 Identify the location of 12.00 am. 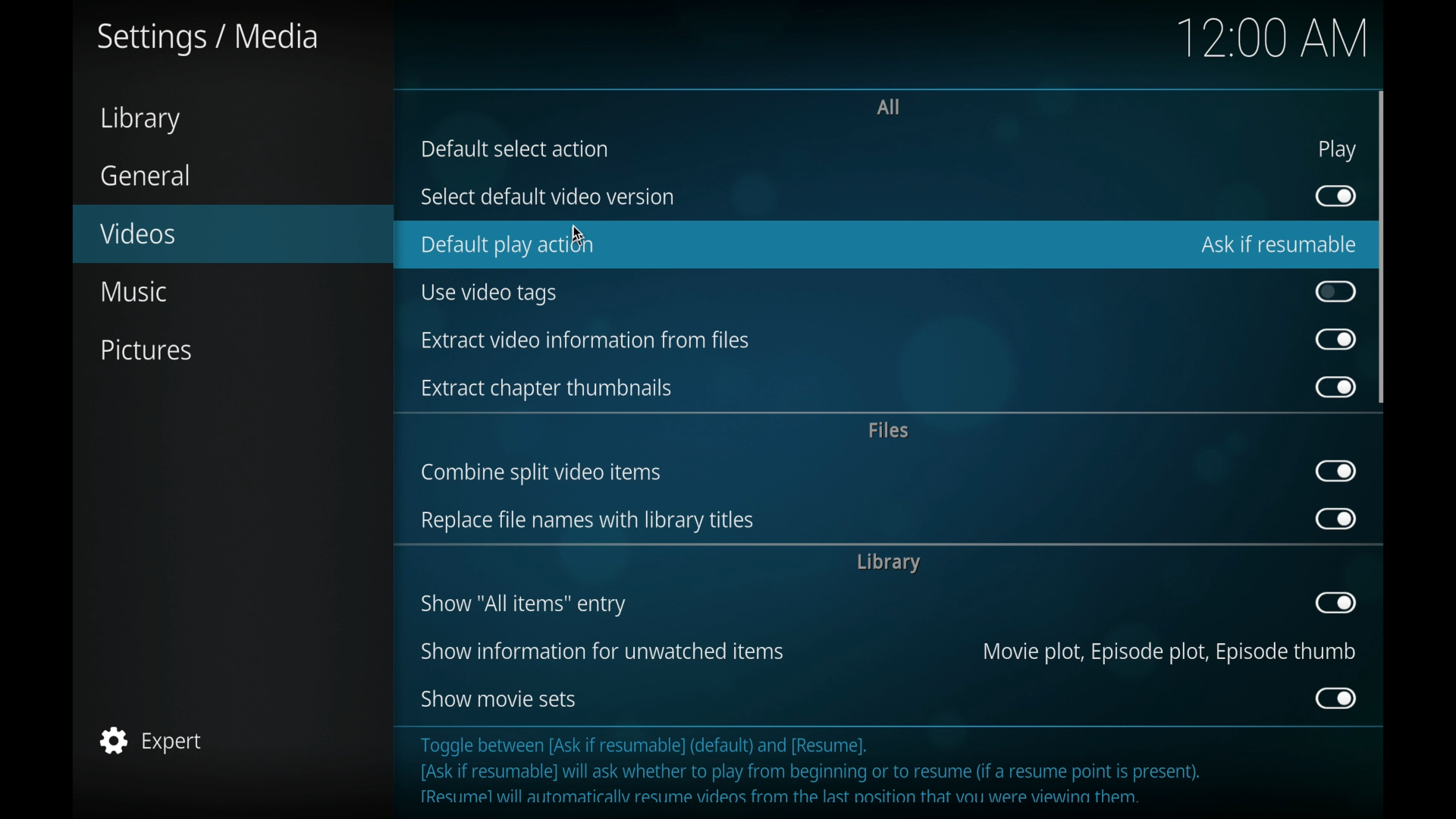
(1273, 39).